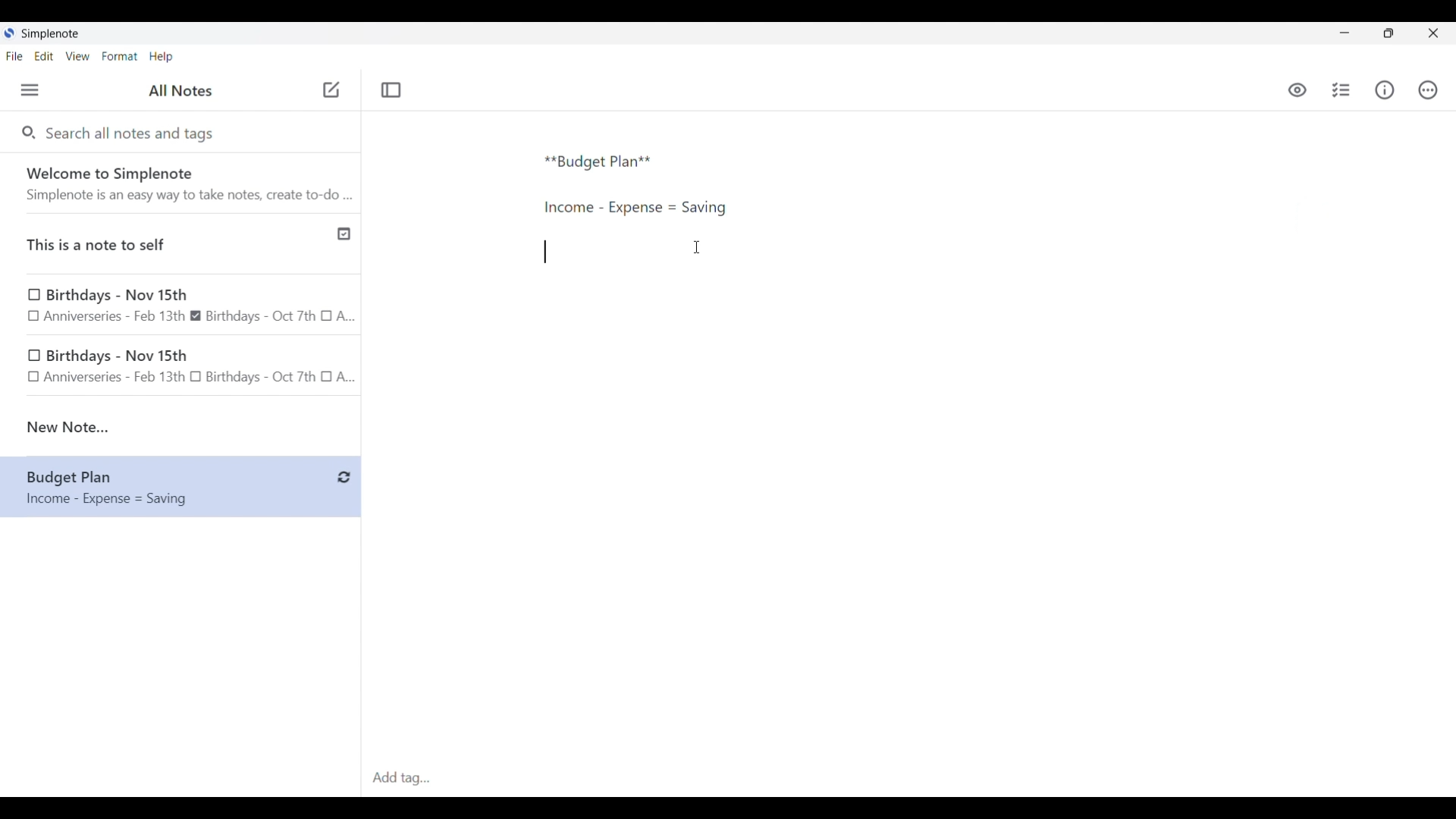  What do you see at coordinates (1345, 33) in the screenshot?
I see `Minimize` at bounding box center [1345, 33].